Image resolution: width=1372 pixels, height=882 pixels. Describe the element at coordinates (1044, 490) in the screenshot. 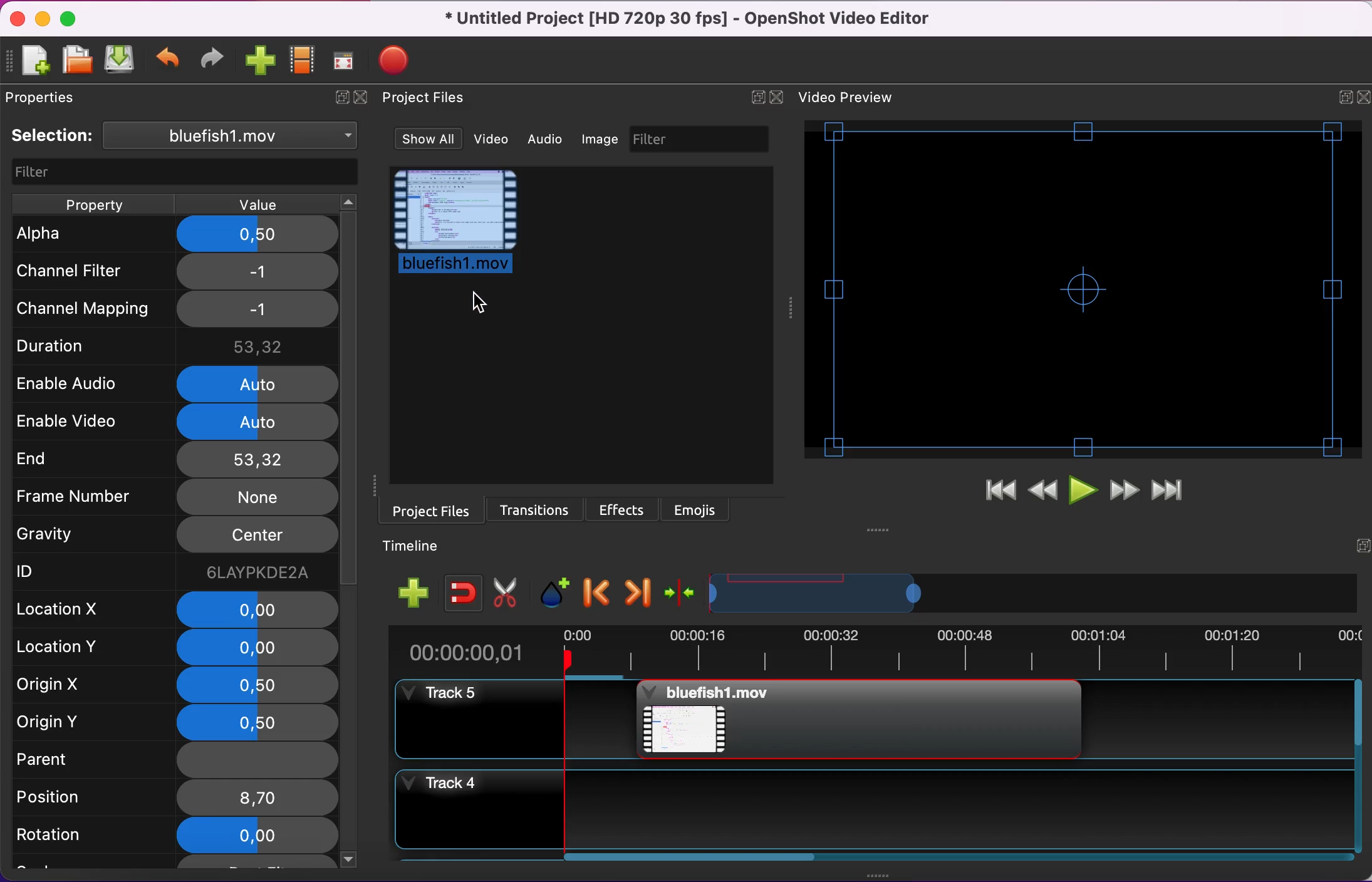

I see `rewind` at that location.